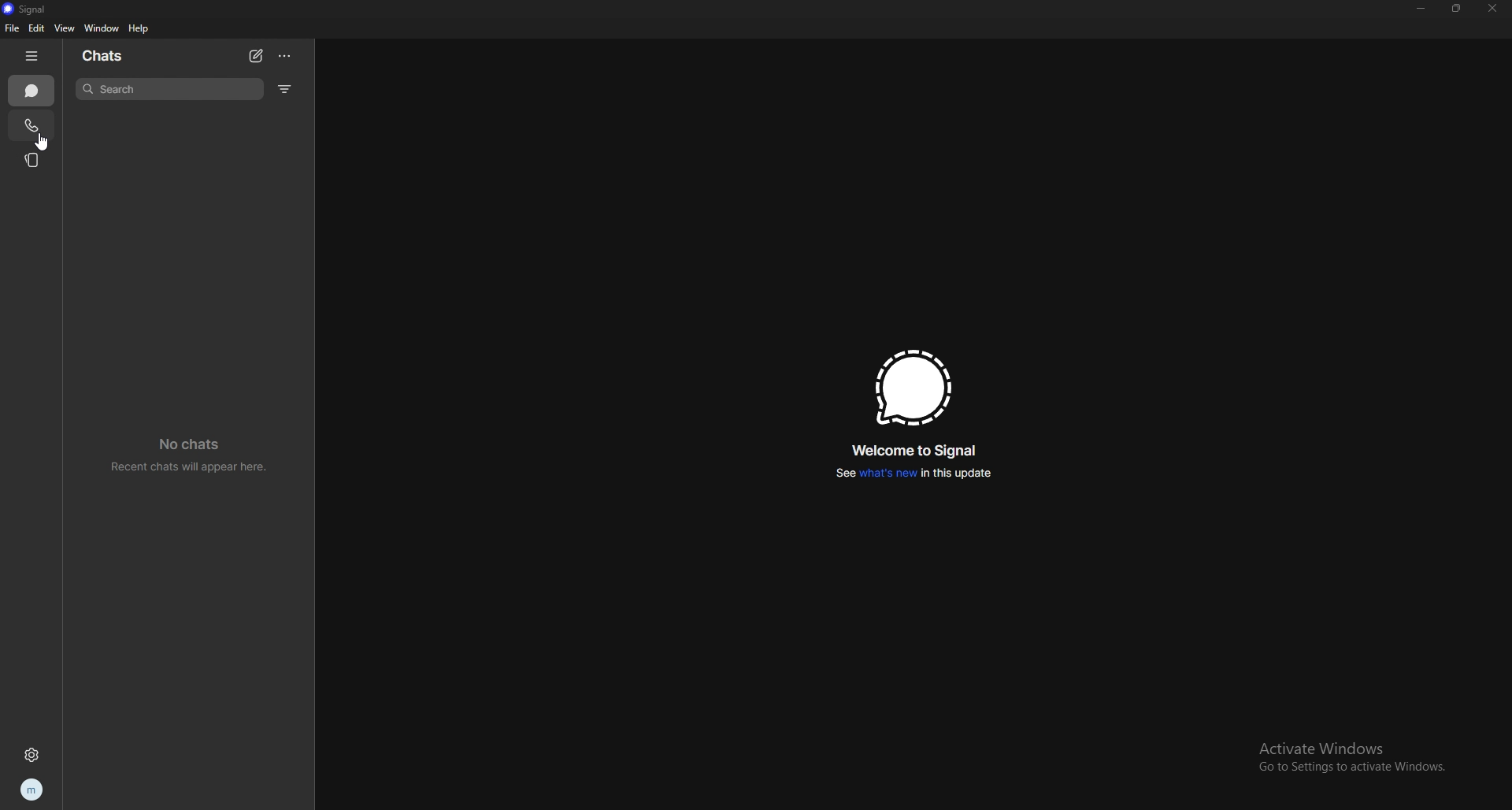  I want to click on chats, so click(31, 90).